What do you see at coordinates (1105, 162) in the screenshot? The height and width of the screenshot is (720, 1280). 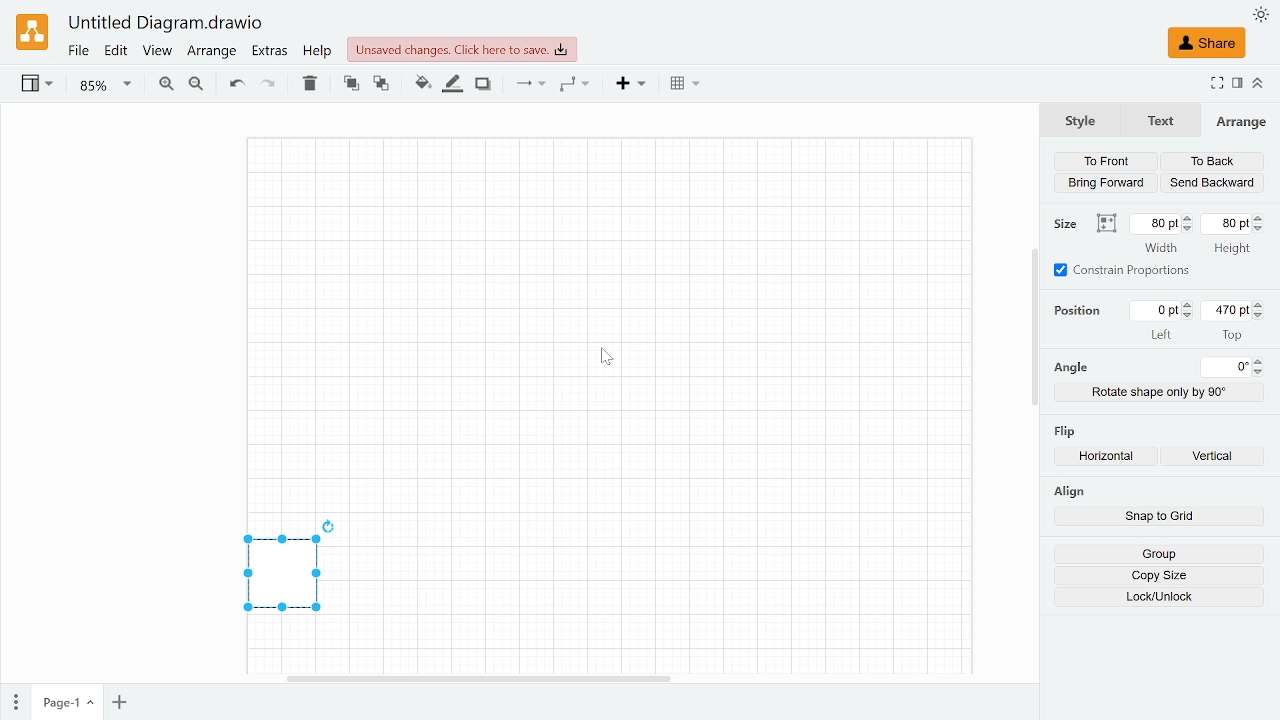 I see `To front` at bounding box center [1105, 162].